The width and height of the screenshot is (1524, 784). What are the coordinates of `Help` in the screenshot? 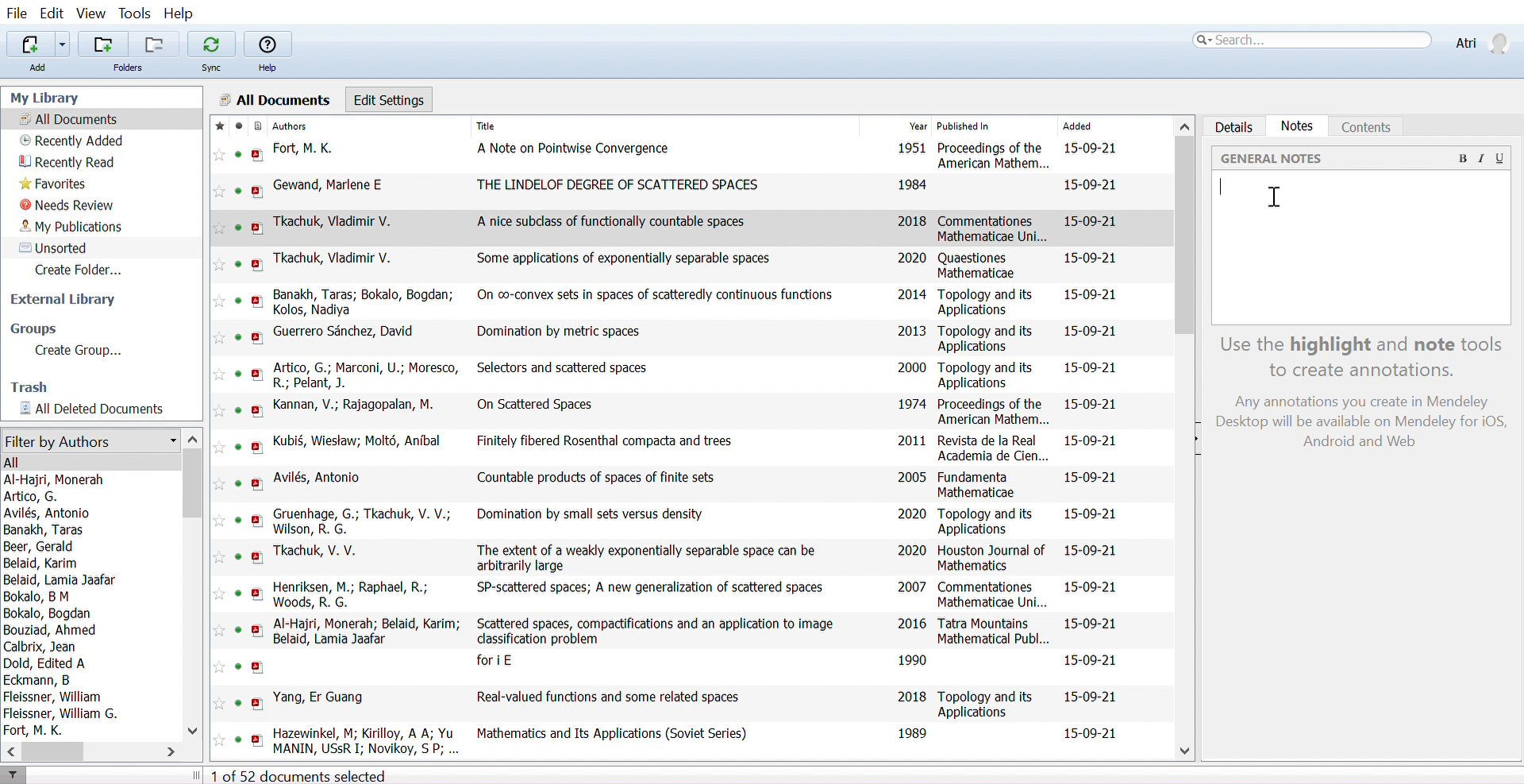 It's located at (182, 14).